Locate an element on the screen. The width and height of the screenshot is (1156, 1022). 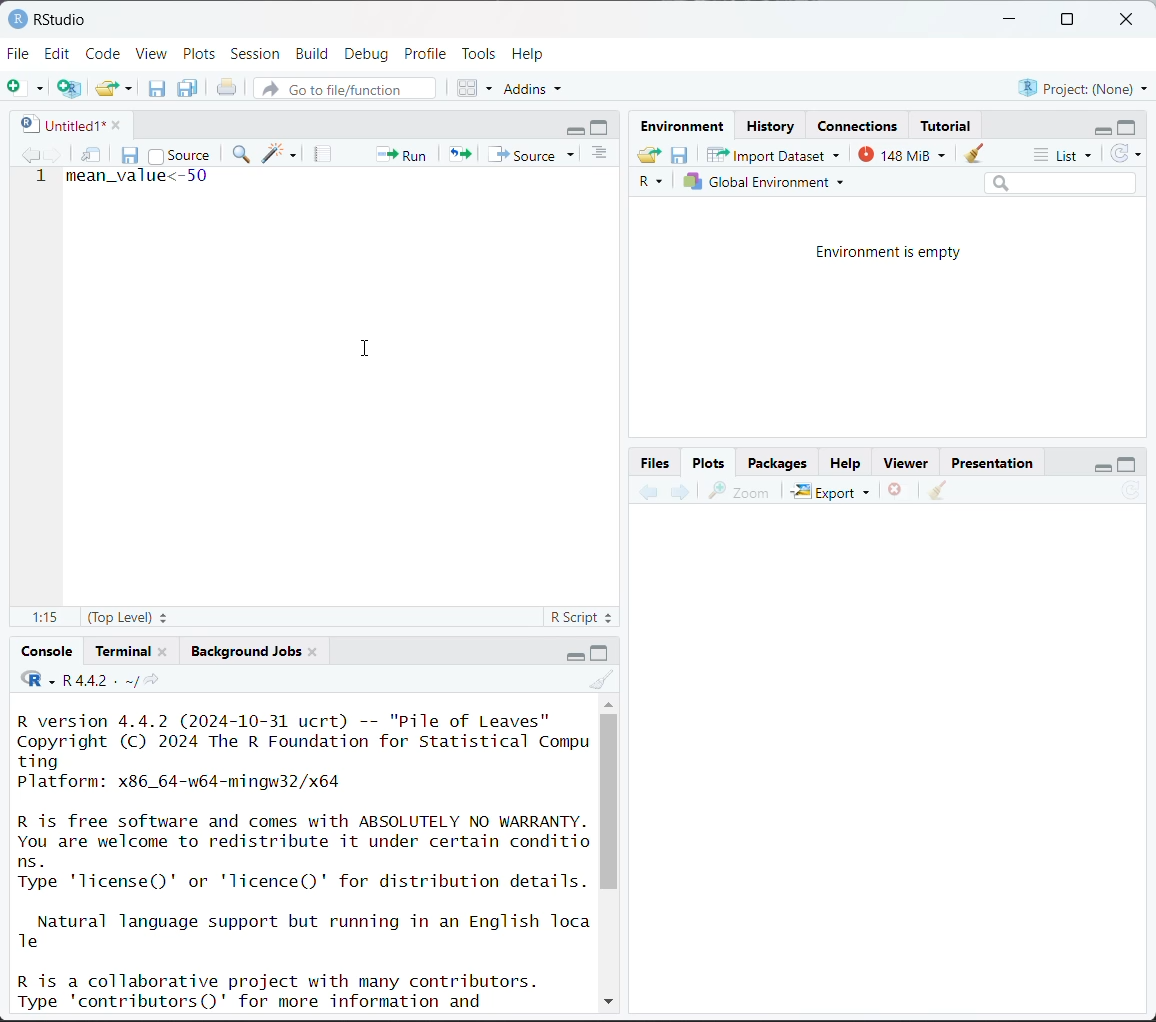
Environment is located at coordinates (686, 127).